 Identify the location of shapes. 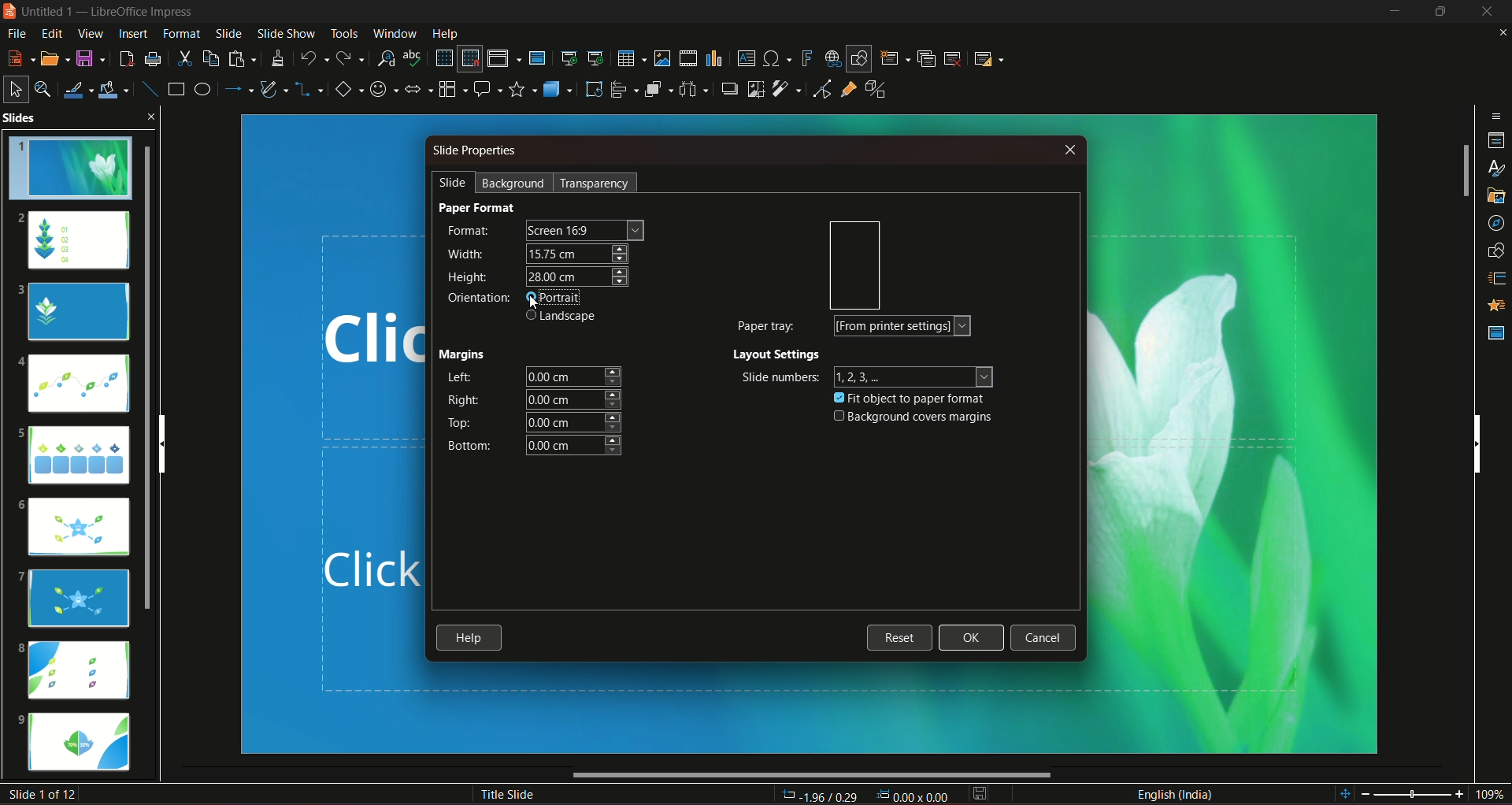
(1494, 251).